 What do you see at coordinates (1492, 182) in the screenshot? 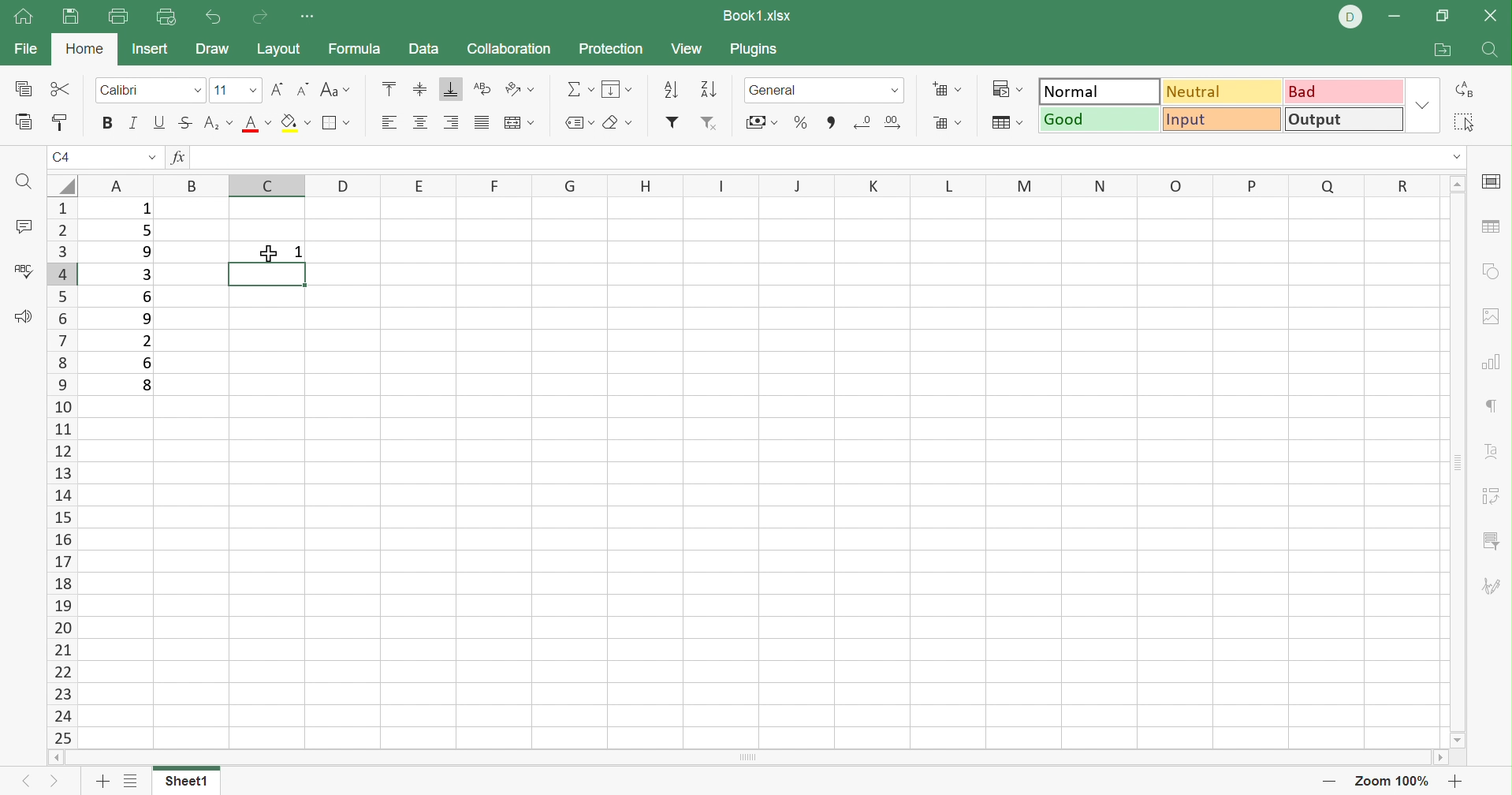
I see `Cell settings` at bounding box center [1492, 182].